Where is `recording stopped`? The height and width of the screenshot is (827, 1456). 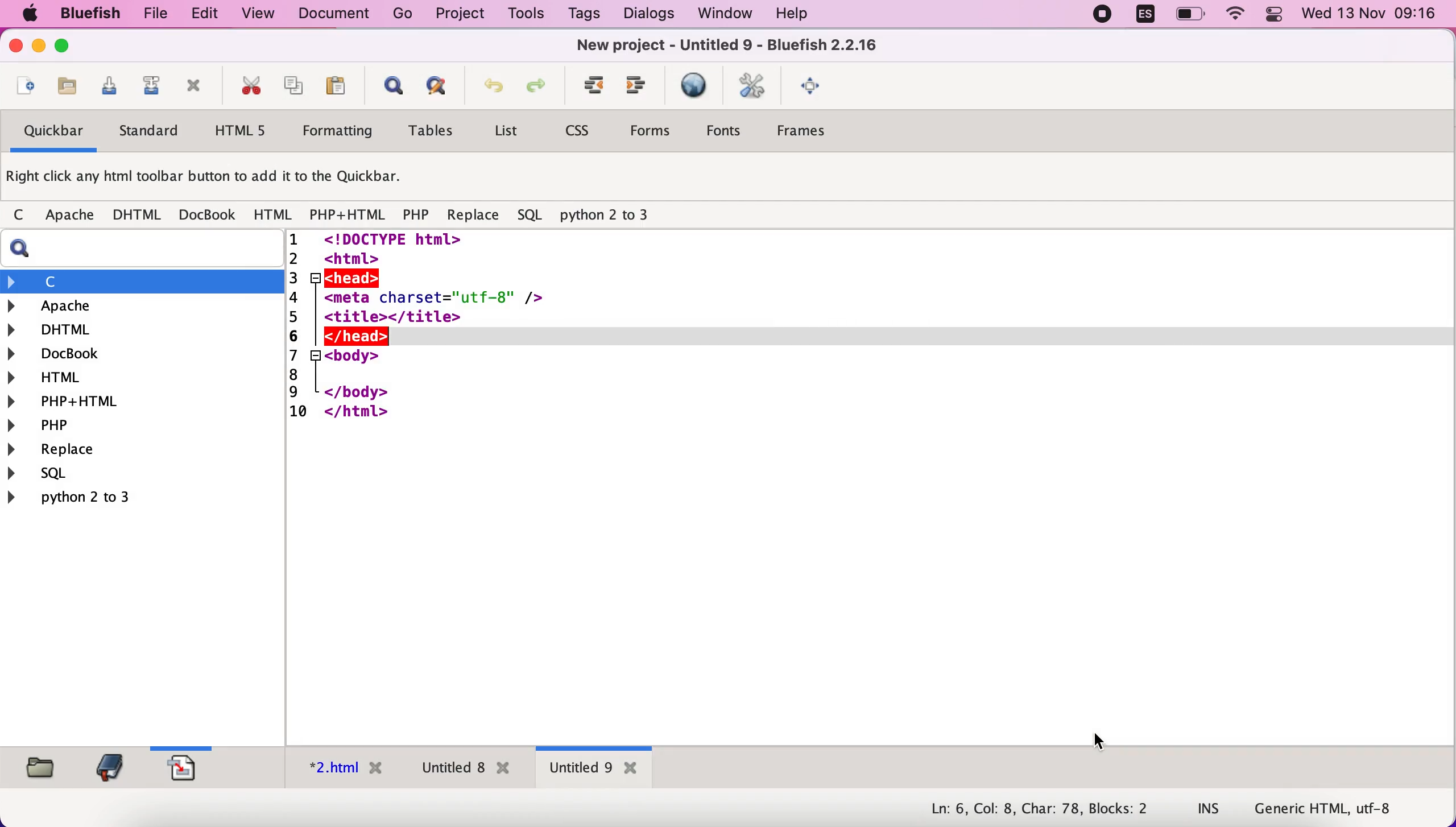 recording stopped is located at coordinates (1102, 15).